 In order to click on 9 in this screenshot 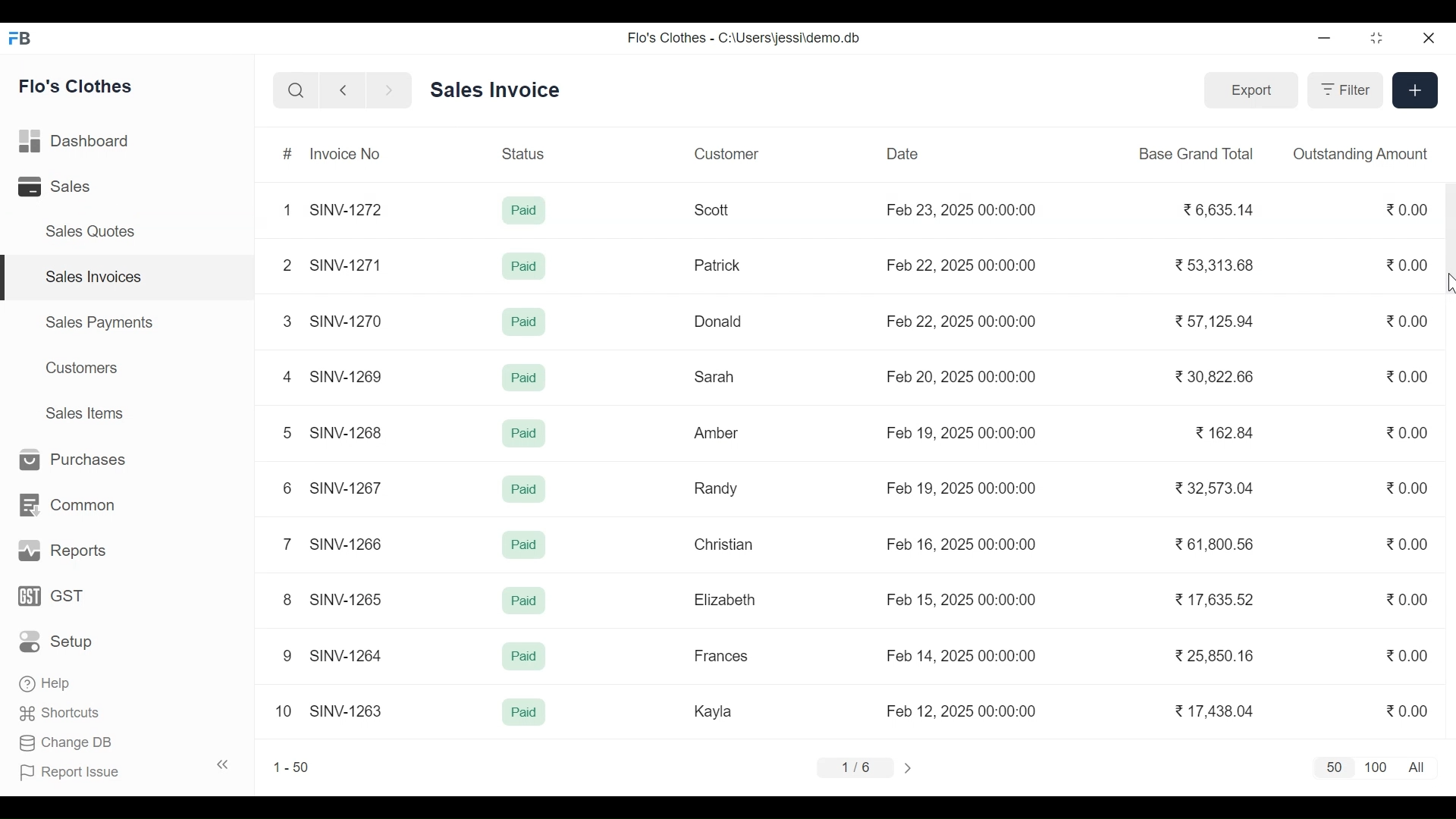, I will do `click(288, 656)`.